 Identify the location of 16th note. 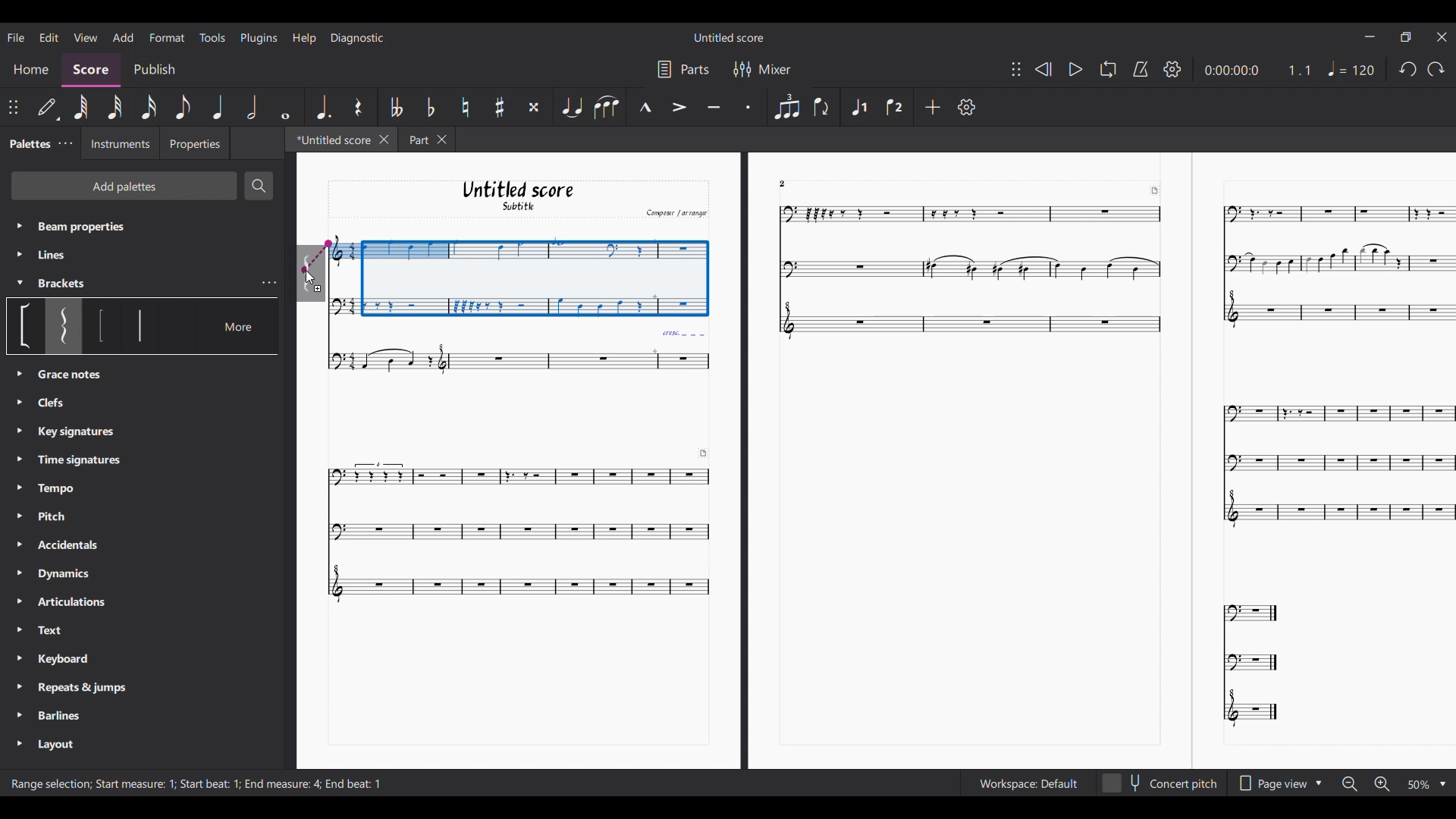
(149, 108).